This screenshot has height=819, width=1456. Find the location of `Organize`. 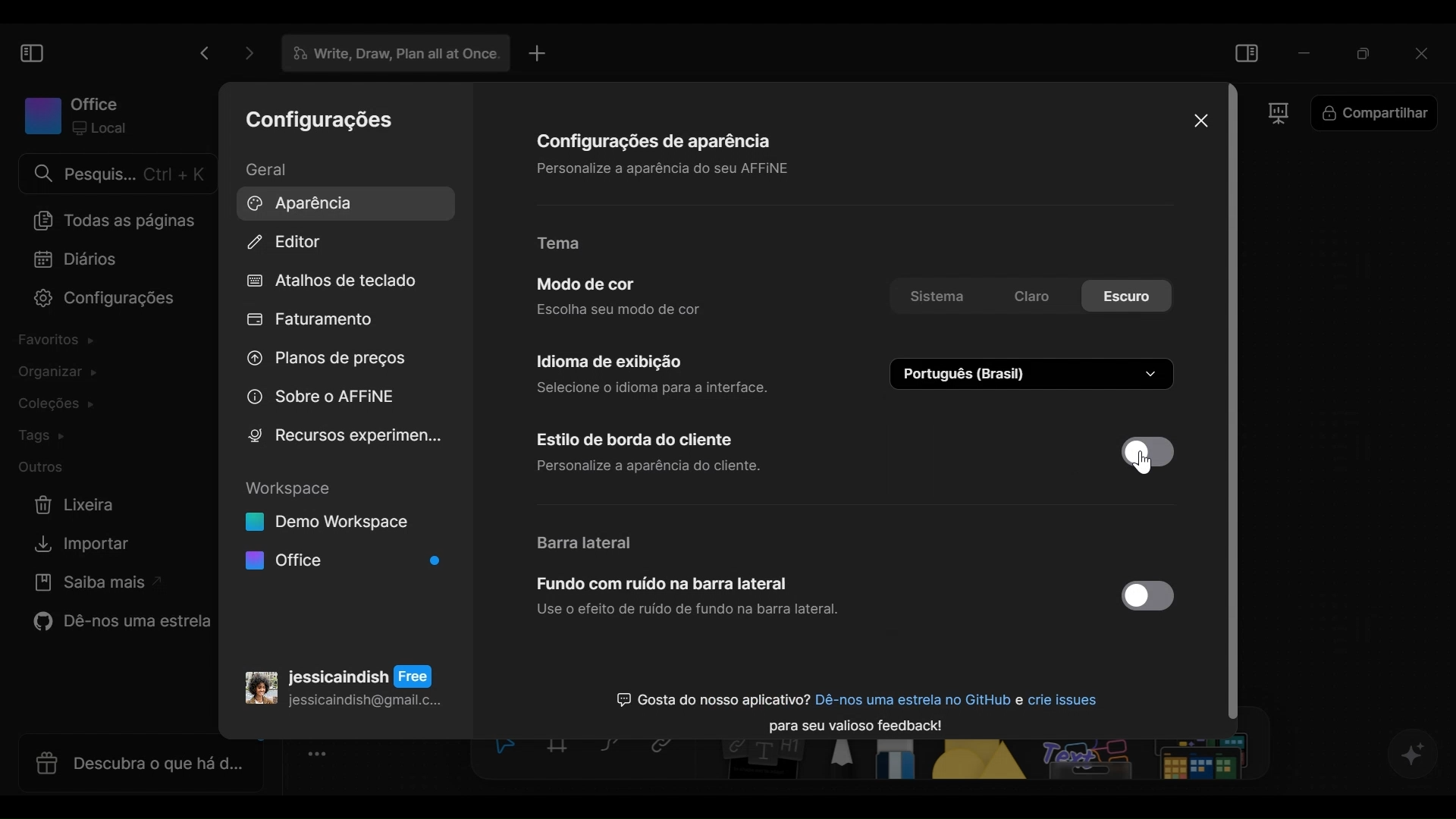

Organize is located at coordinates (53, 373).